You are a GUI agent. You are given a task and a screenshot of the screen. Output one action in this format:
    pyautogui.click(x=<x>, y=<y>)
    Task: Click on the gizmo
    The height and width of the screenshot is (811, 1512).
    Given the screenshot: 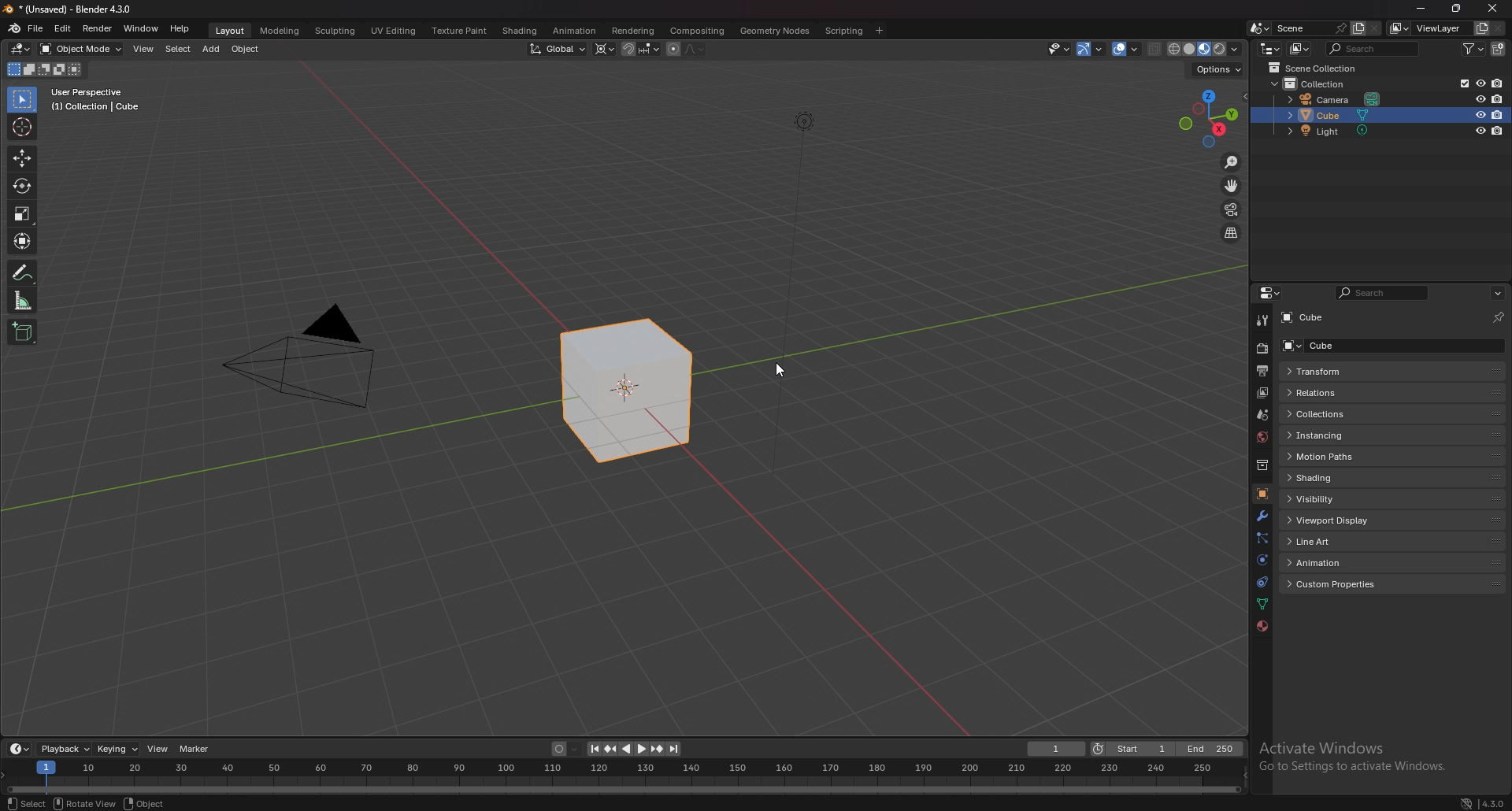 What is the action you would take?
    pyautogui.click(x=1091, y=50)
    